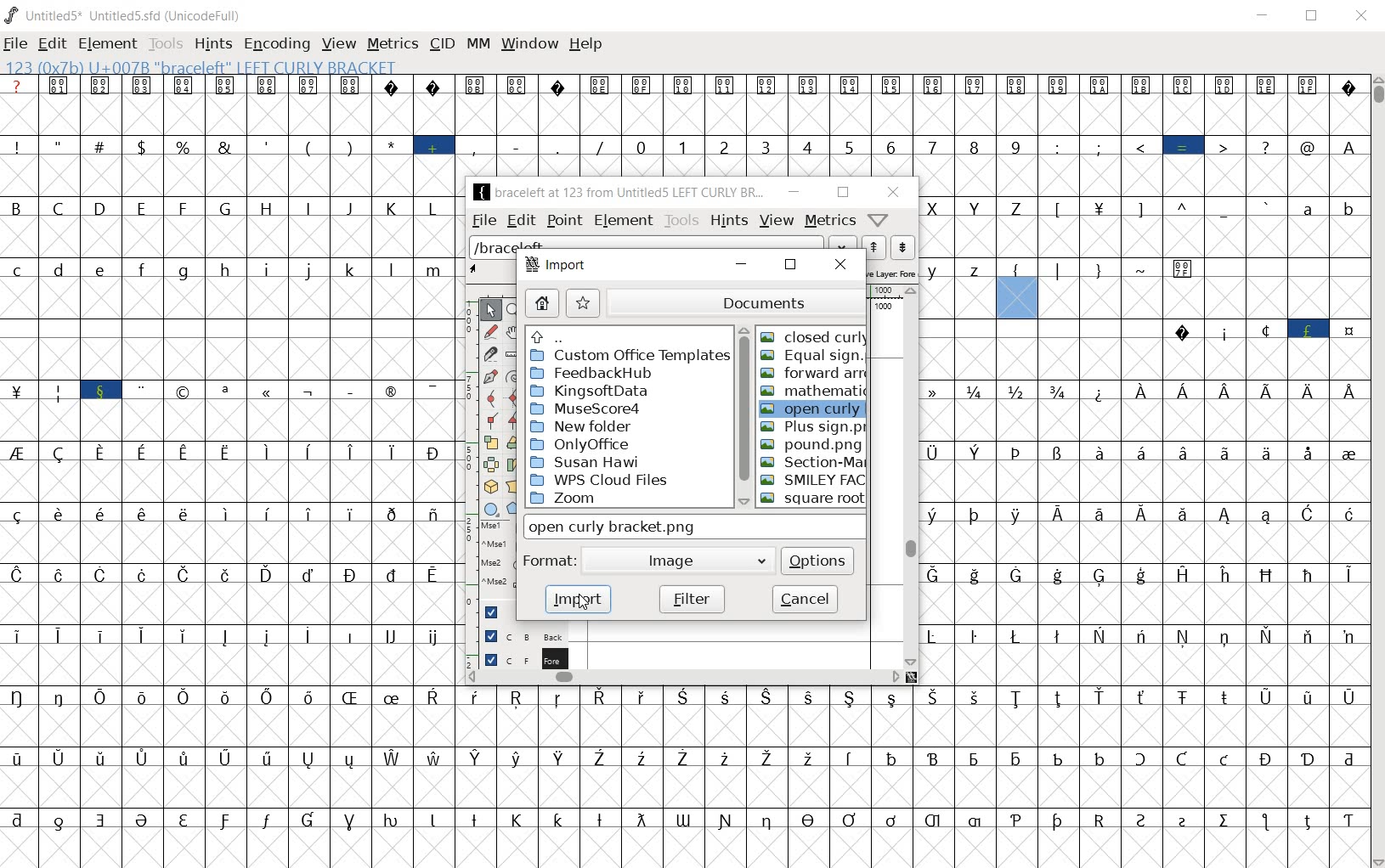  What do you see at coordinates (514, 509) in the screenshot?
I see `polygon or star` at bounding box center [514, 509].